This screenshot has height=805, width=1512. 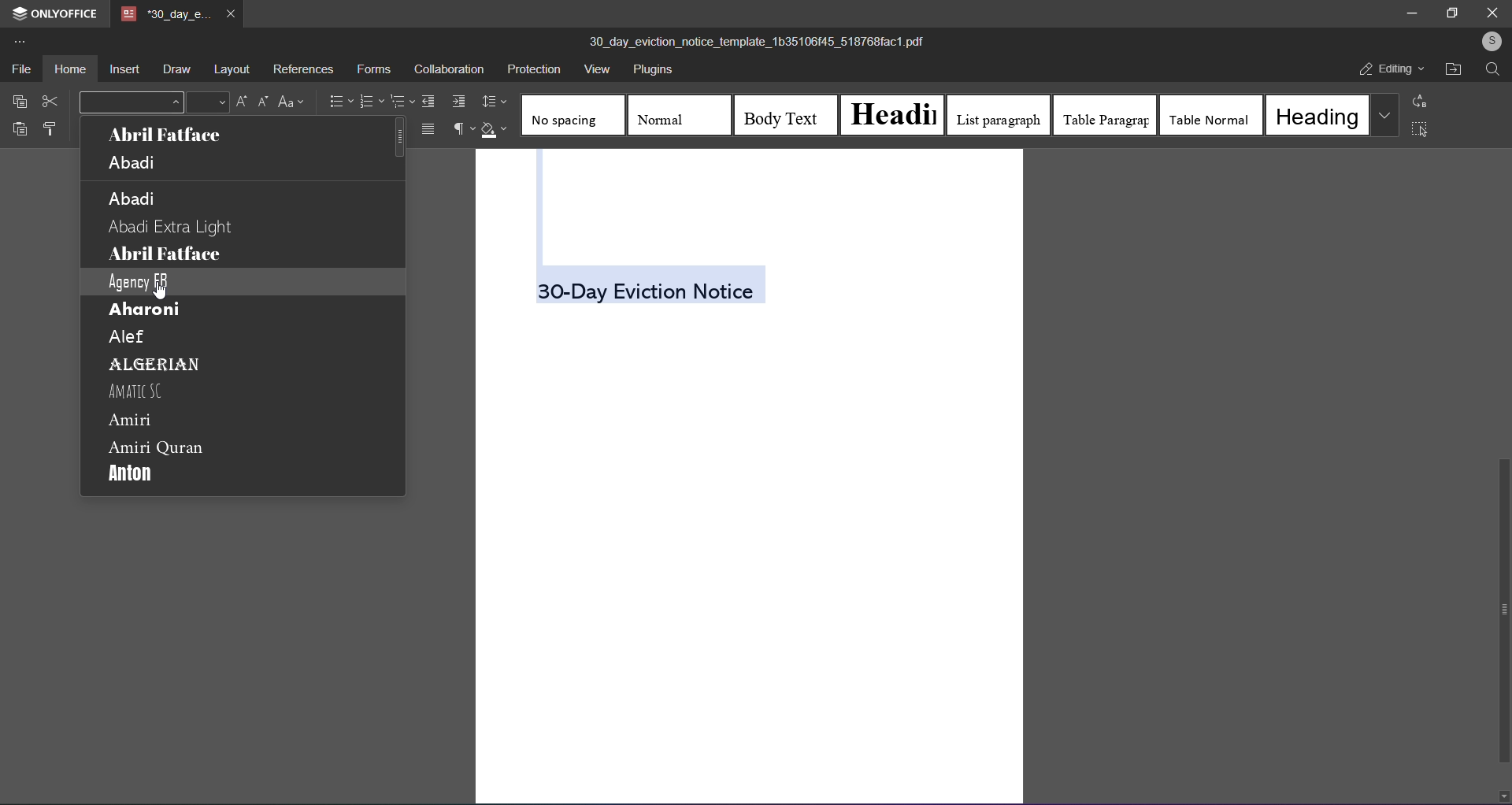 I want to click on no spacing, so click(x=572, y=117).